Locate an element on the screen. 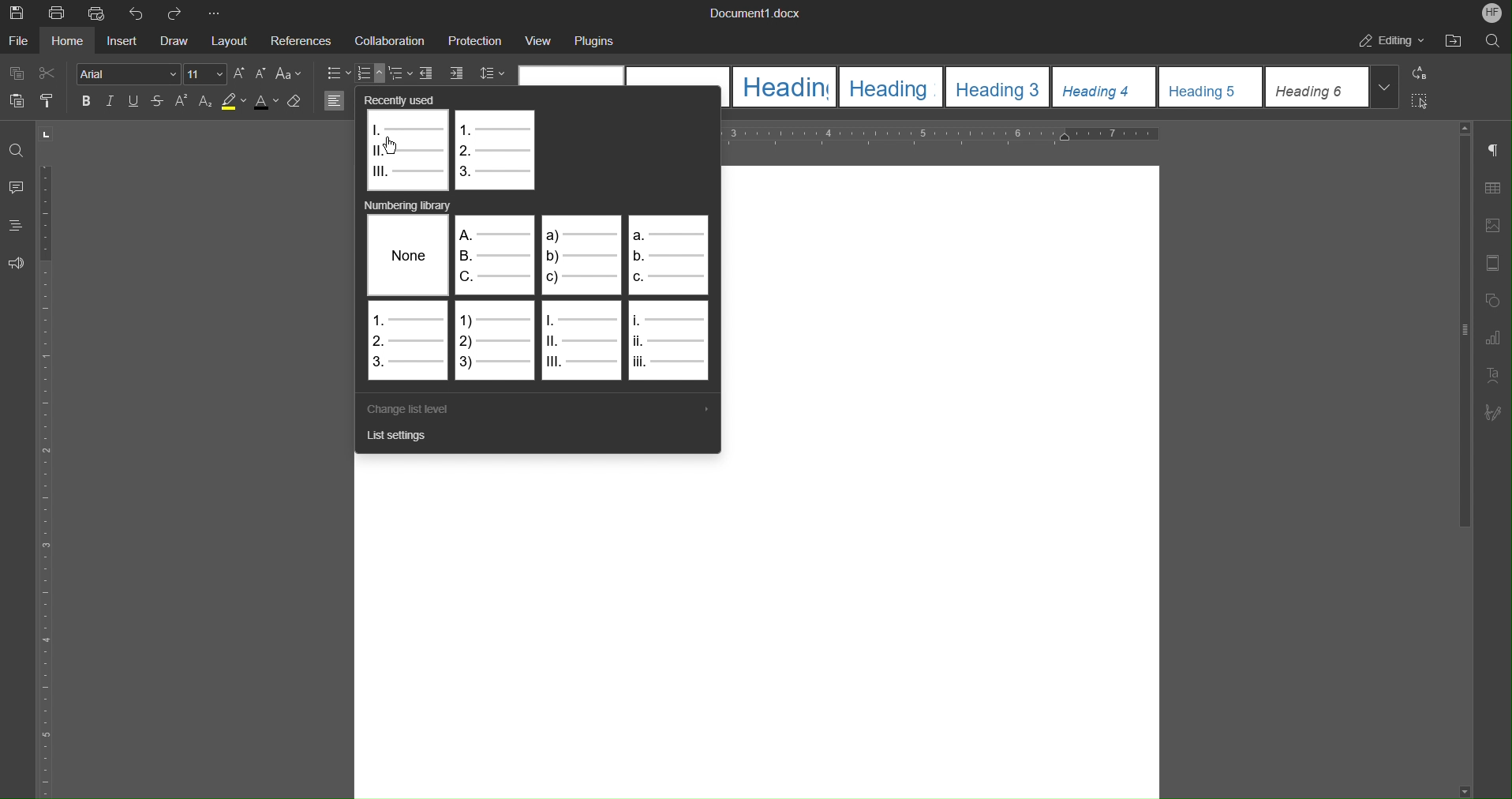 The height and width of the screenshot is (799, 1512). Numbered List is located at coordinates (493, 151).